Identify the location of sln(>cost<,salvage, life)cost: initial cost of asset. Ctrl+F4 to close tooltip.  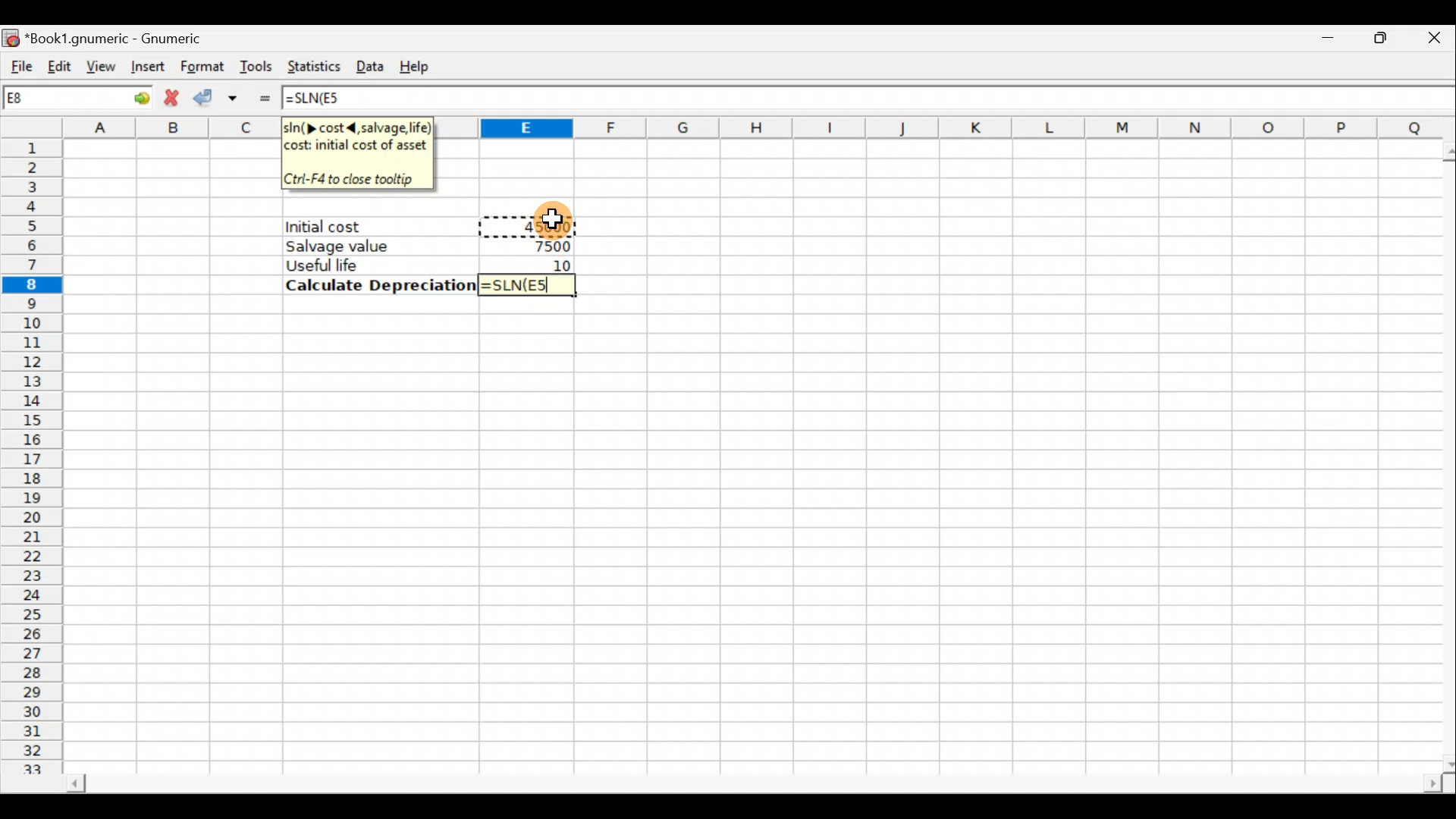
(358, 154).